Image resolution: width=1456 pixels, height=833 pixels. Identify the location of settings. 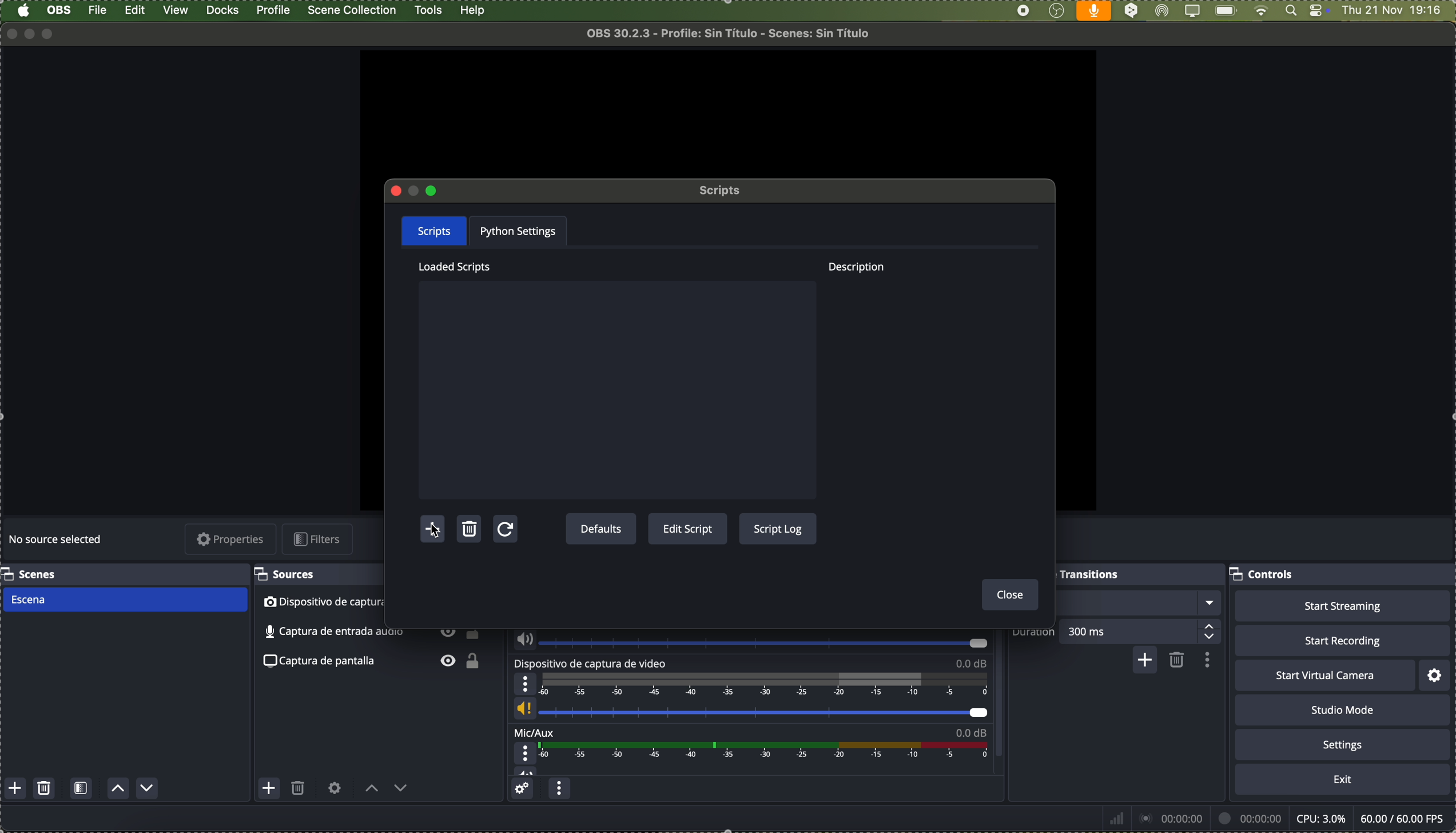
(1343, 744).